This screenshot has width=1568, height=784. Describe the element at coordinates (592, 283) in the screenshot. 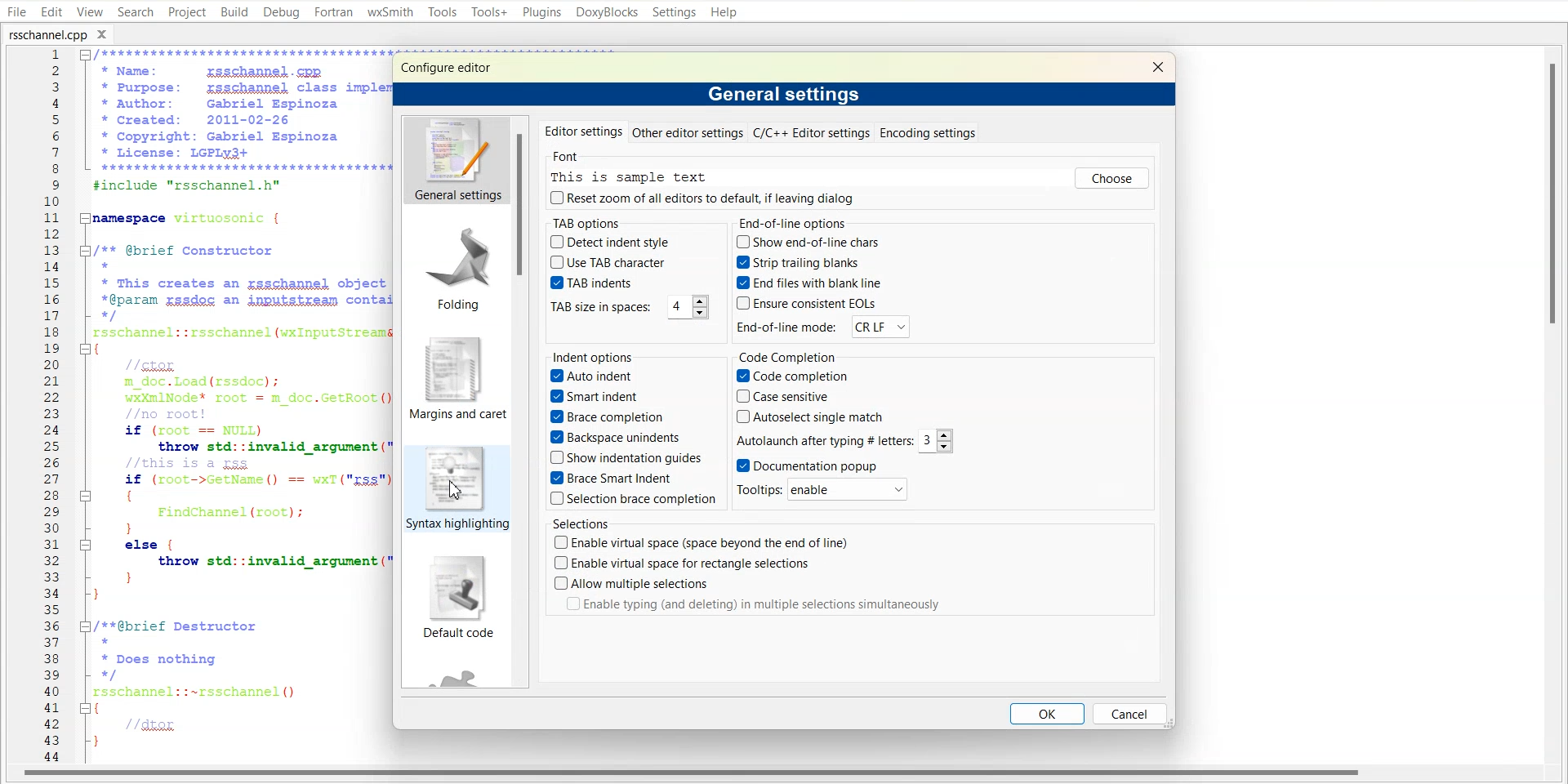

I see `TAB indents` at that location.